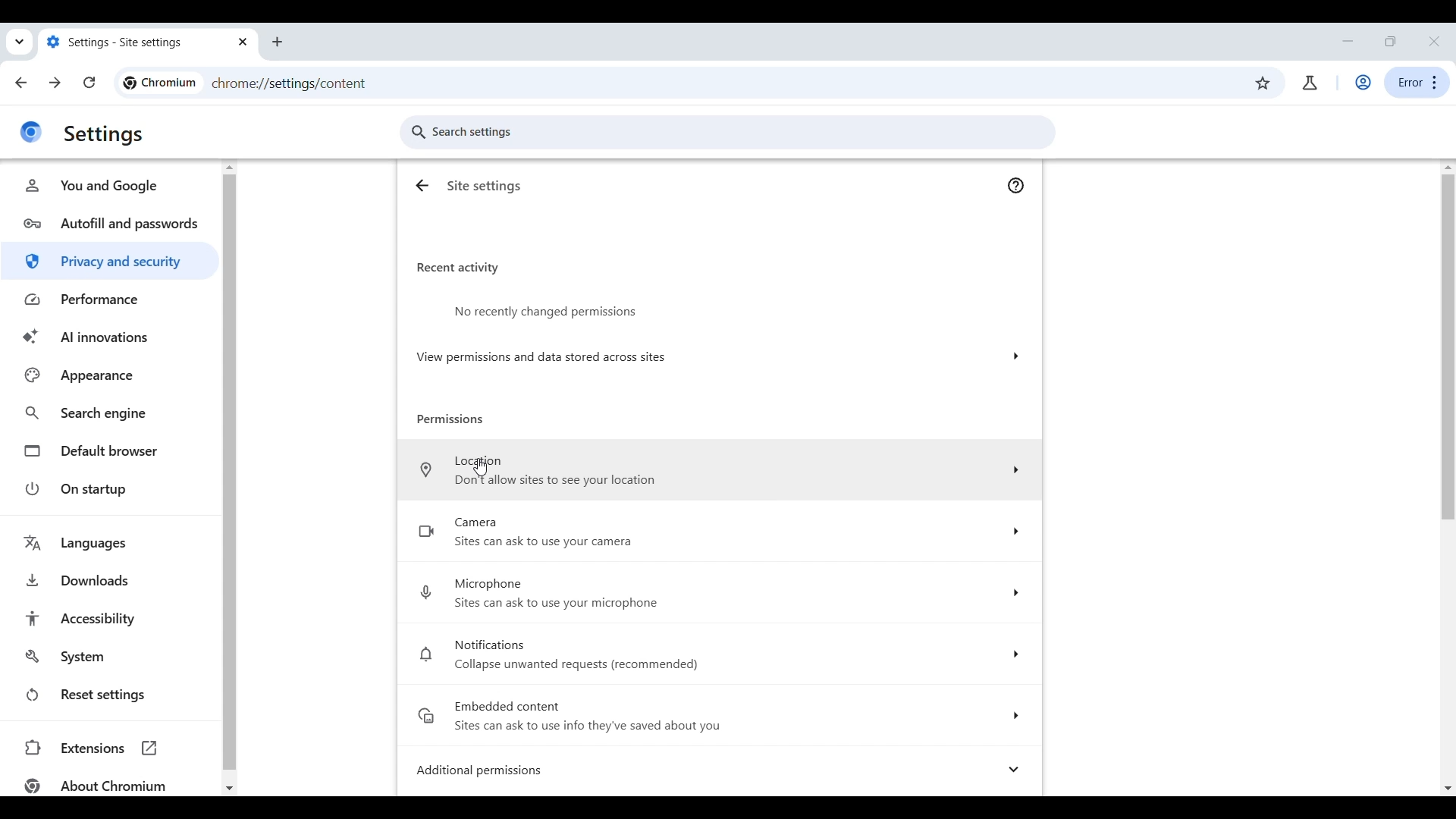 This screenshot has height=819, width=1456. Describe the element at coordinates (718, 469) in the screenshot. I see `Location : Don't allow sites to see your location` at that location.